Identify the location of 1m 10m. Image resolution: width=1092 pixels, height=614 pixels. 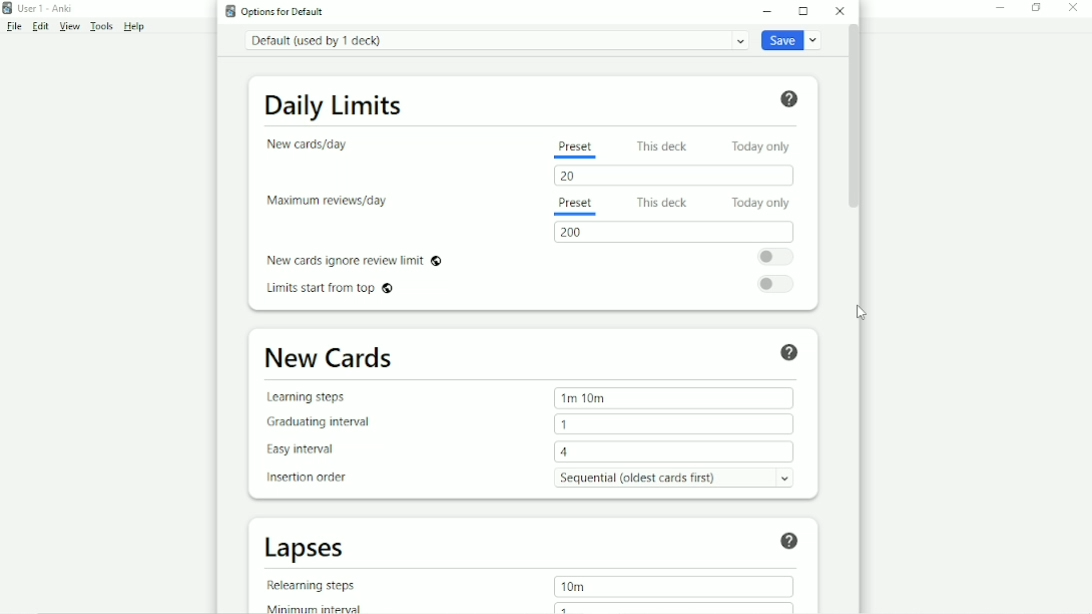
(584, 398).